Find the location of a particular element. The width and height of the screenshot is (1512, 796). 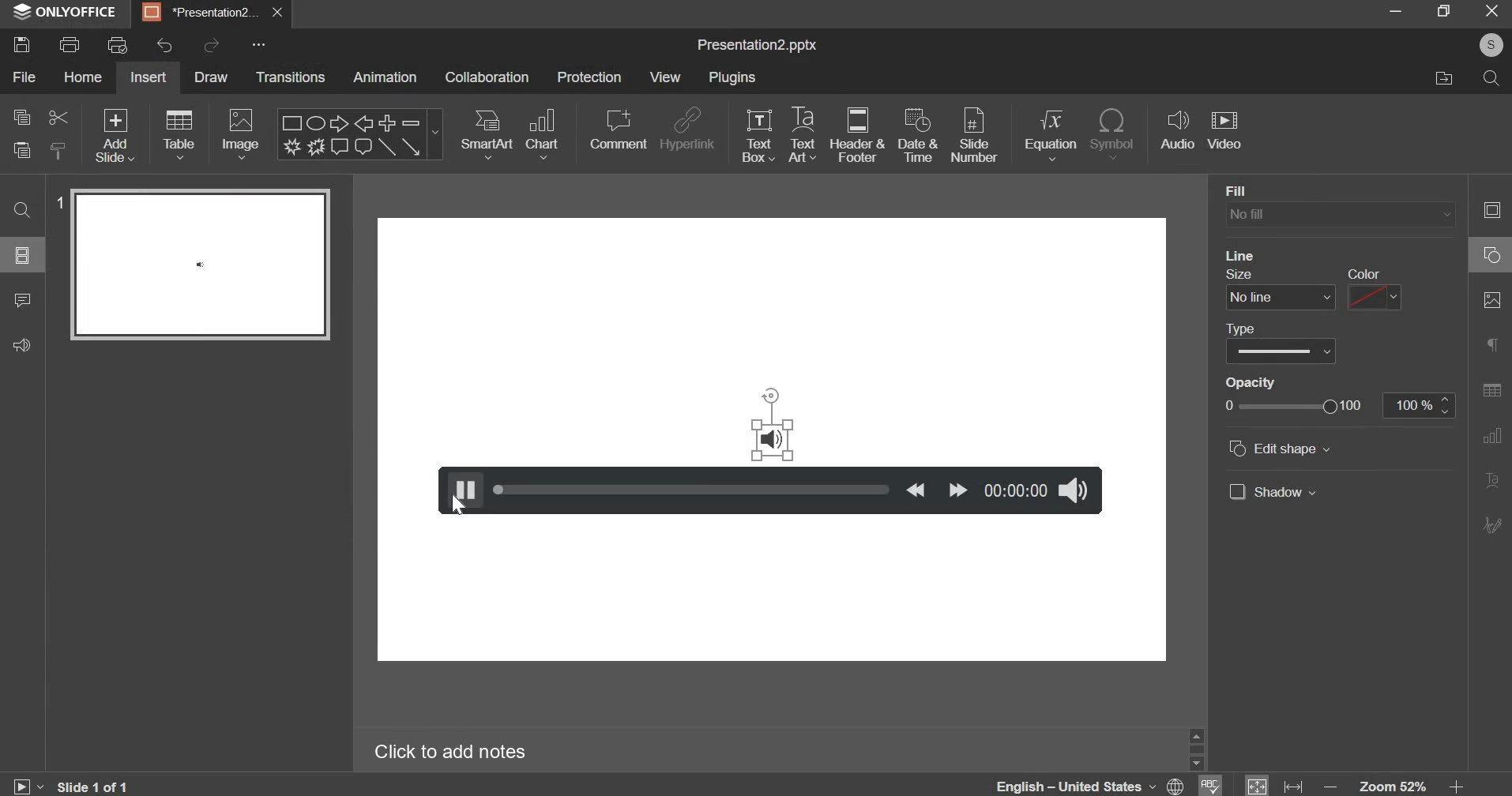

add slide is located at coordinates (116, 137).